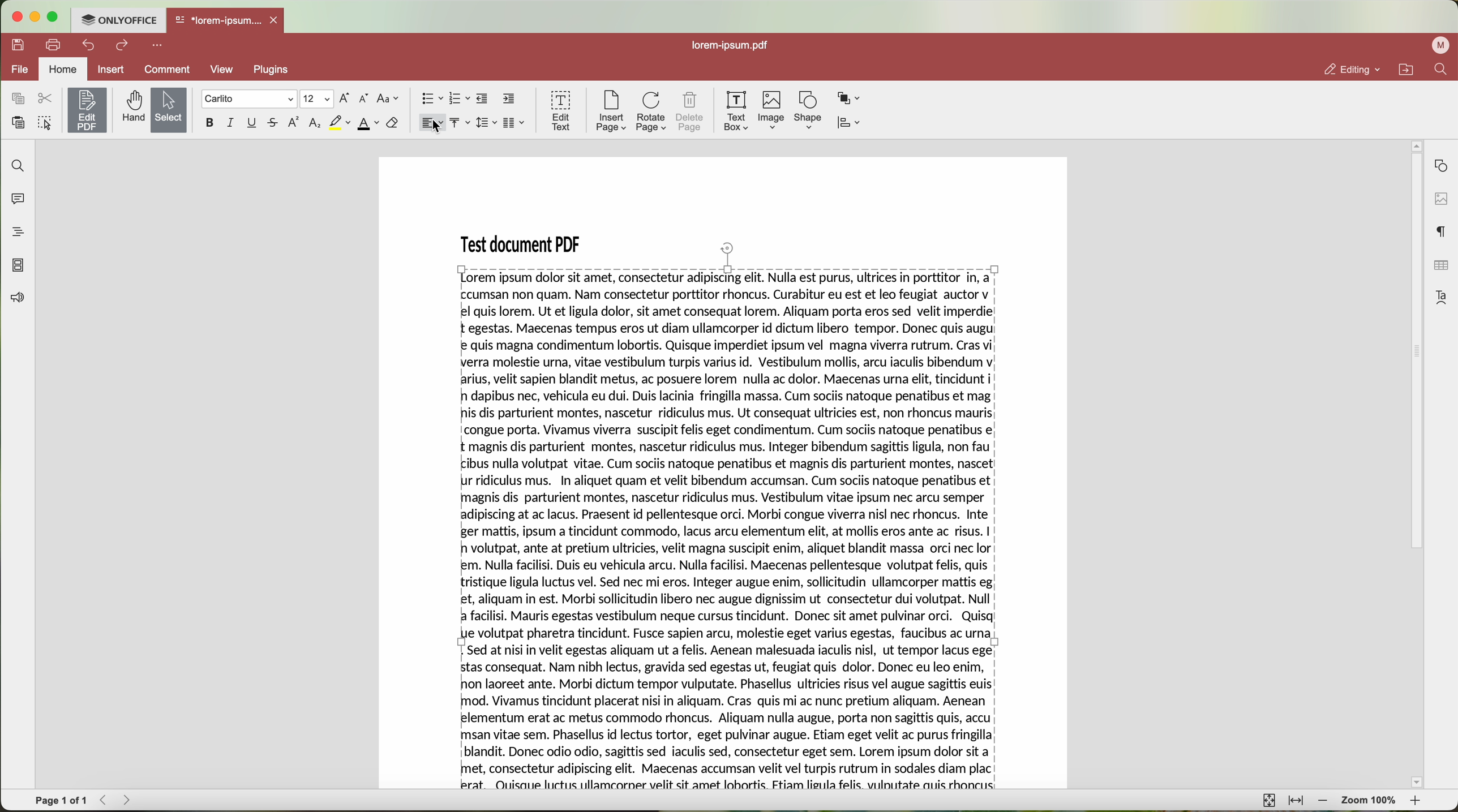 The width and height of the screenshot is (1458, 812). Describe the element at coordinates (18, 98) in the screenshot. I see `copy` at that location.